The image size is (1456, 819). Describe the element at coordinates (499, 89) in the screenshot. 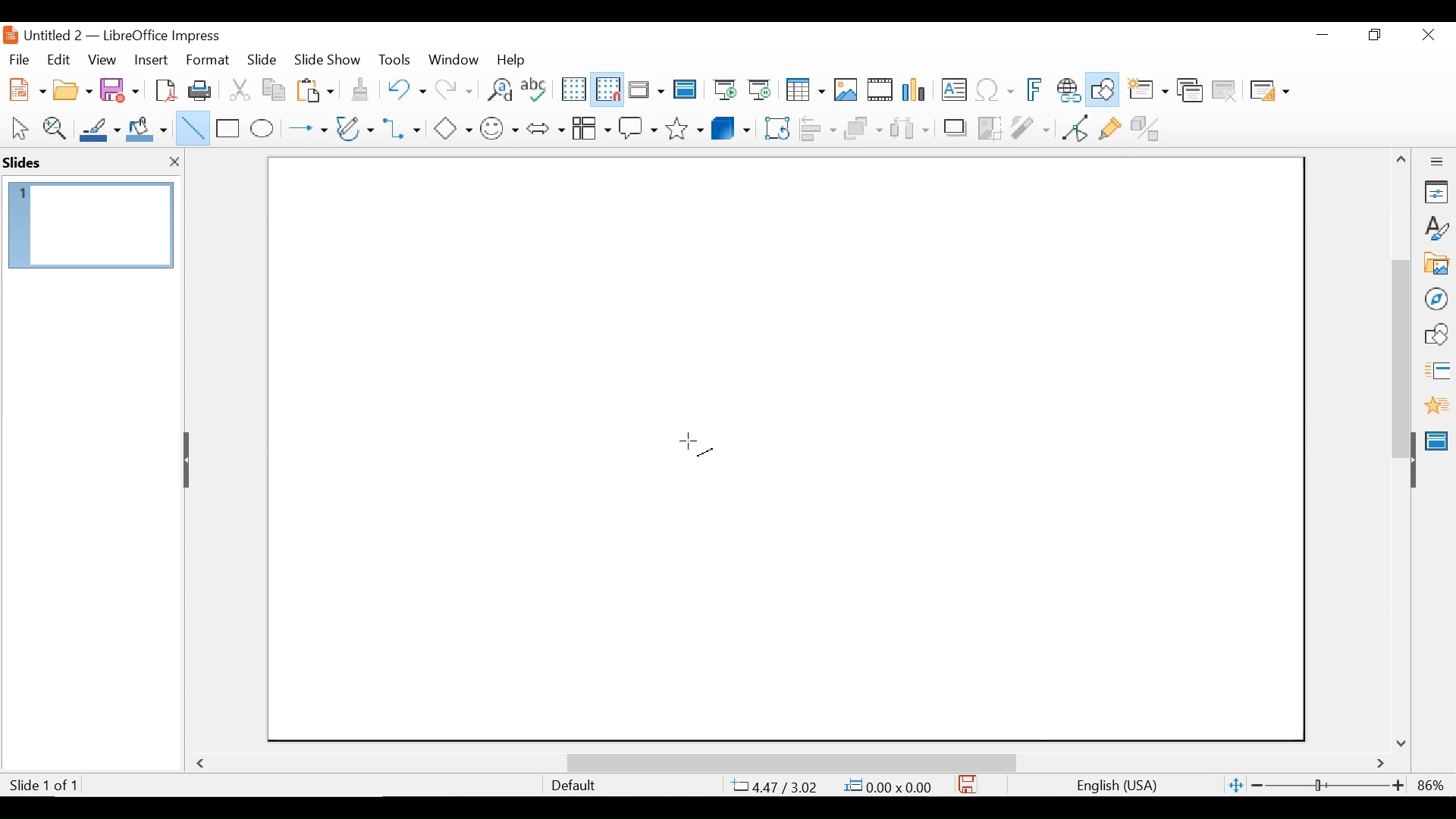

I see `Find and Replace` at that location.